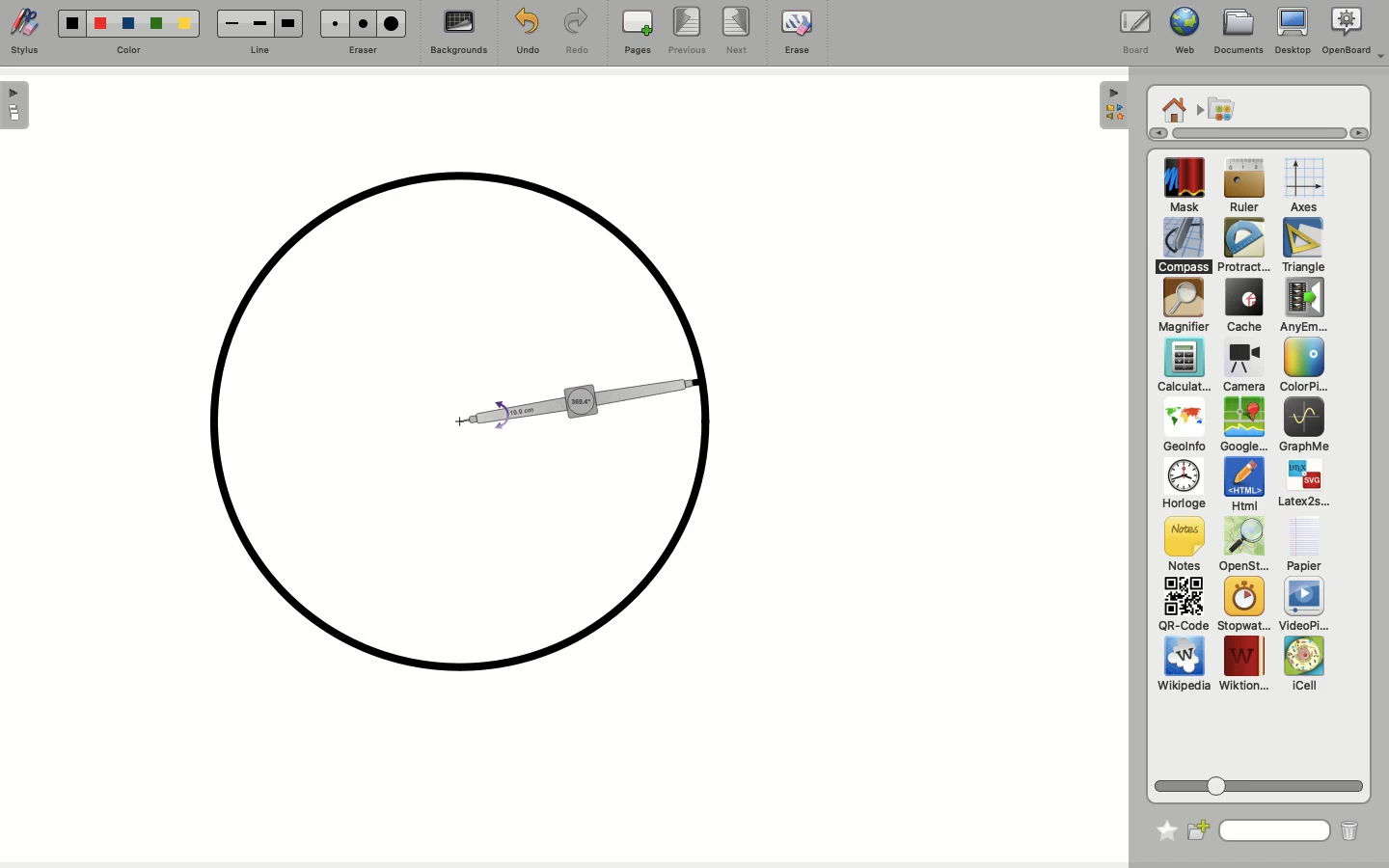  Describe the element at coordinates (286, 23) in the screenshot. I see `Line3` at that location.